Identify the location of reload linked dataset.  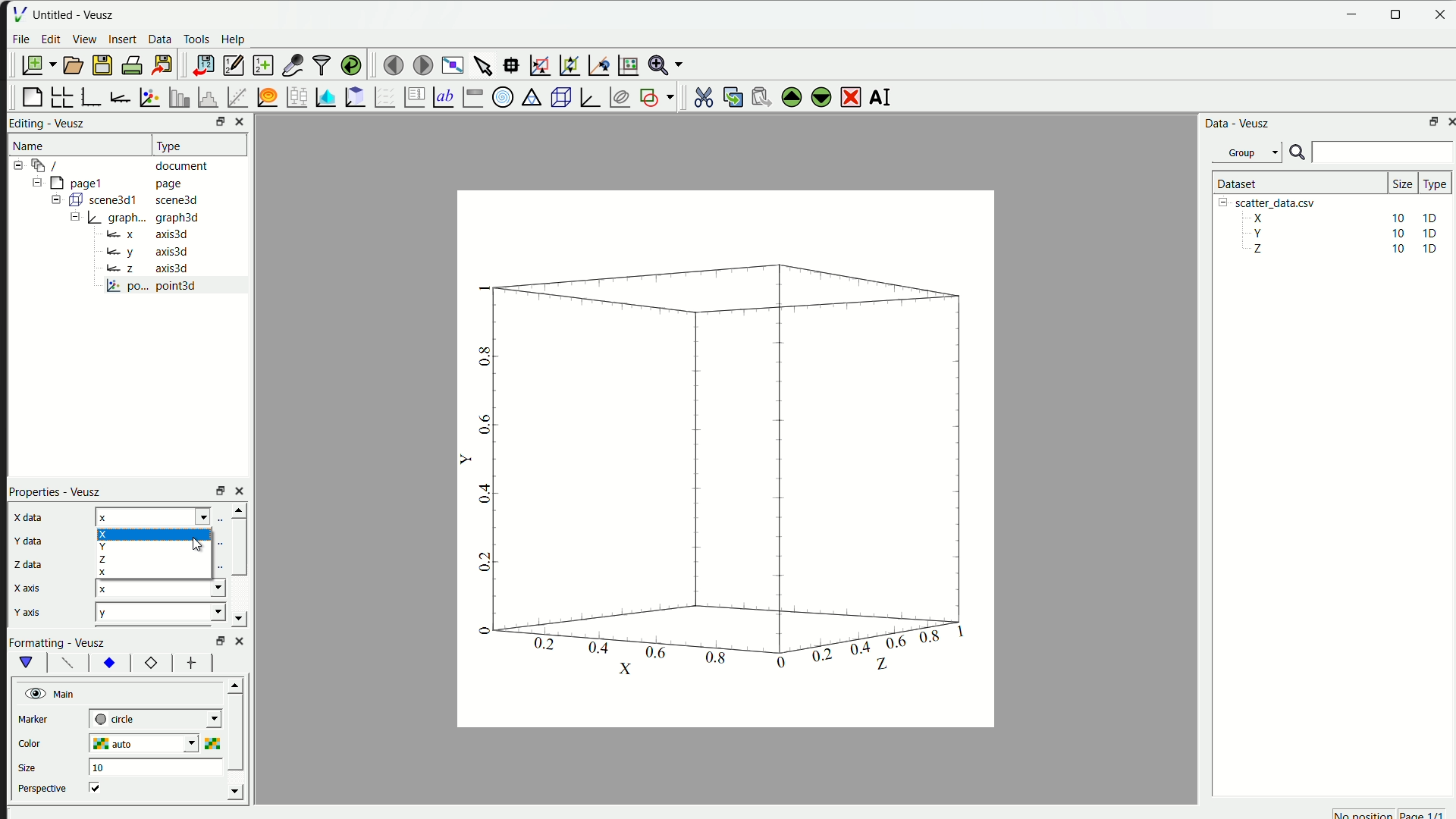
(352, 64).